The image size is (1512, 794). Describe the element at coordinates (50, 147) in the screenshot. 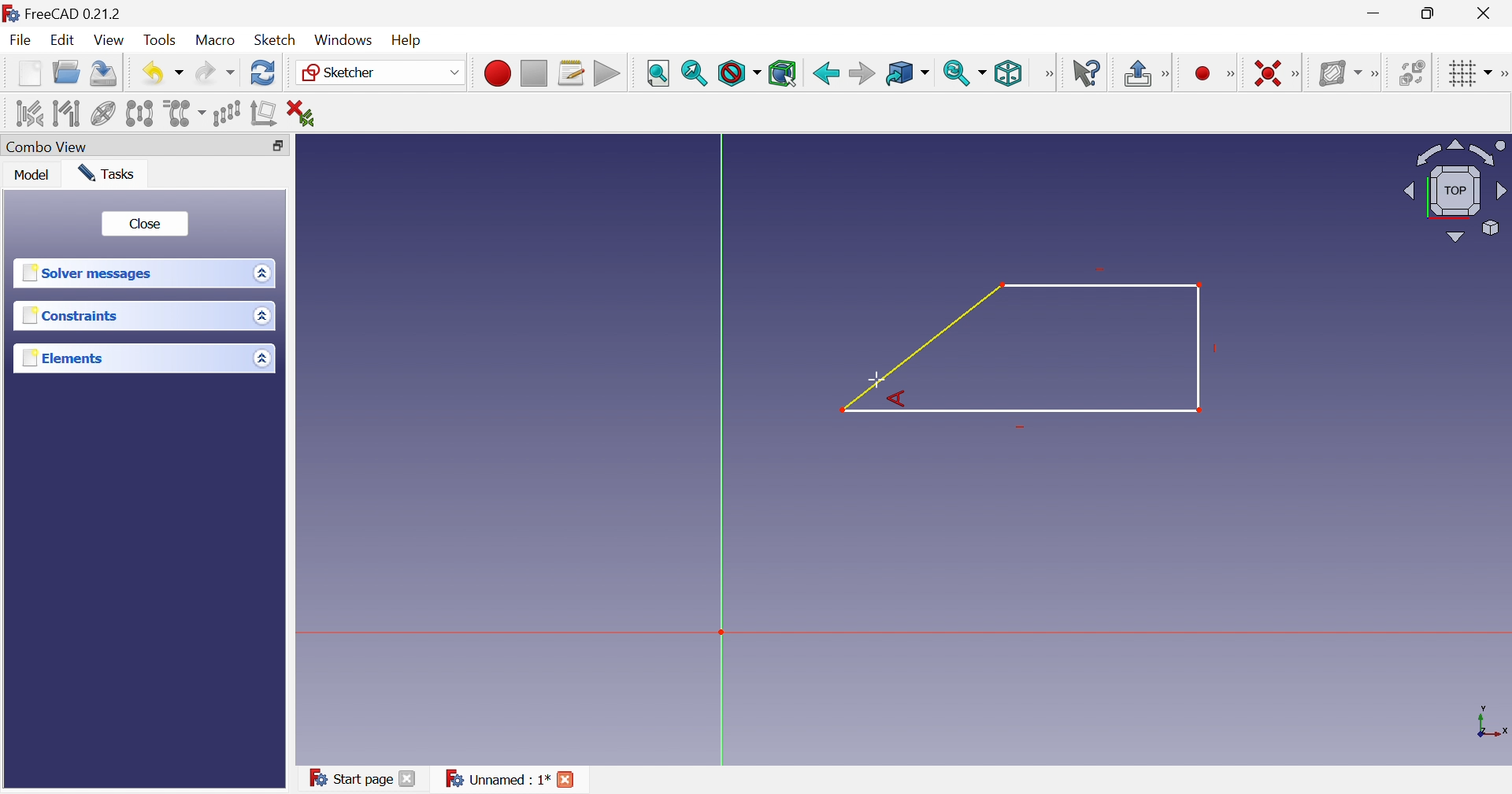

I see `Combo View` at that location.